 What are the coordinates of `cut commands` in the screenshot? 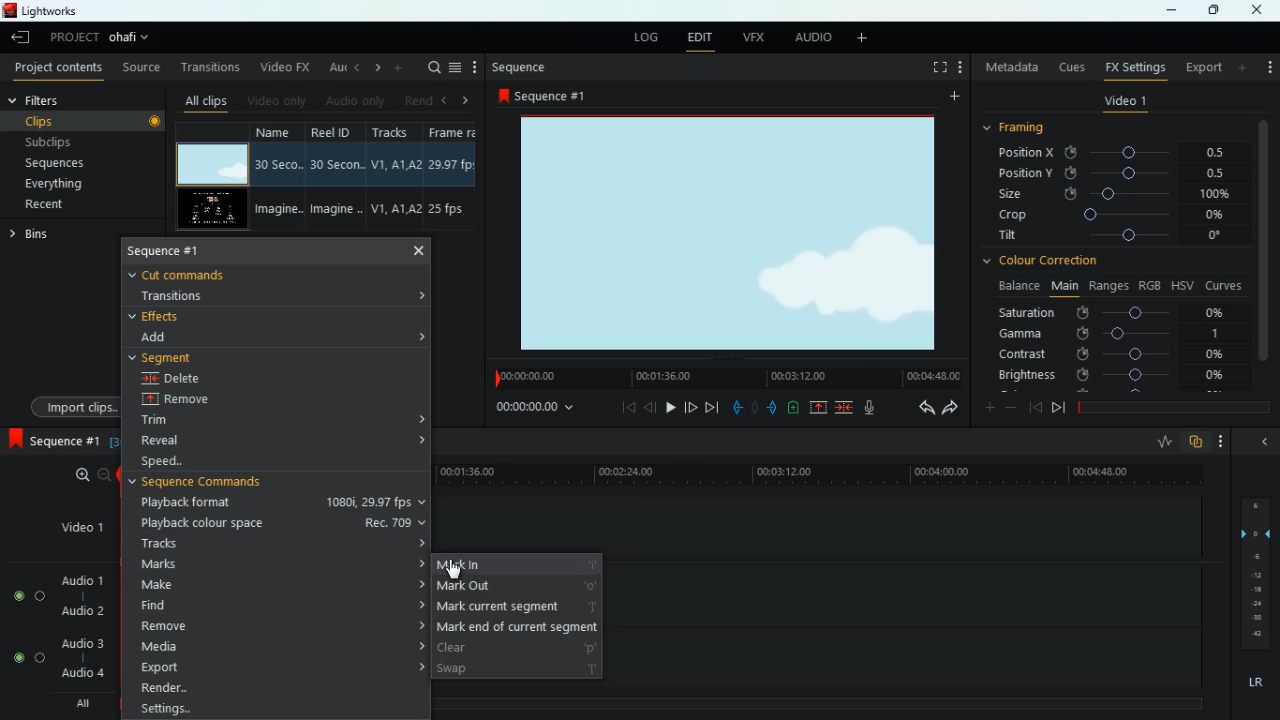 It's located at (194, 275).